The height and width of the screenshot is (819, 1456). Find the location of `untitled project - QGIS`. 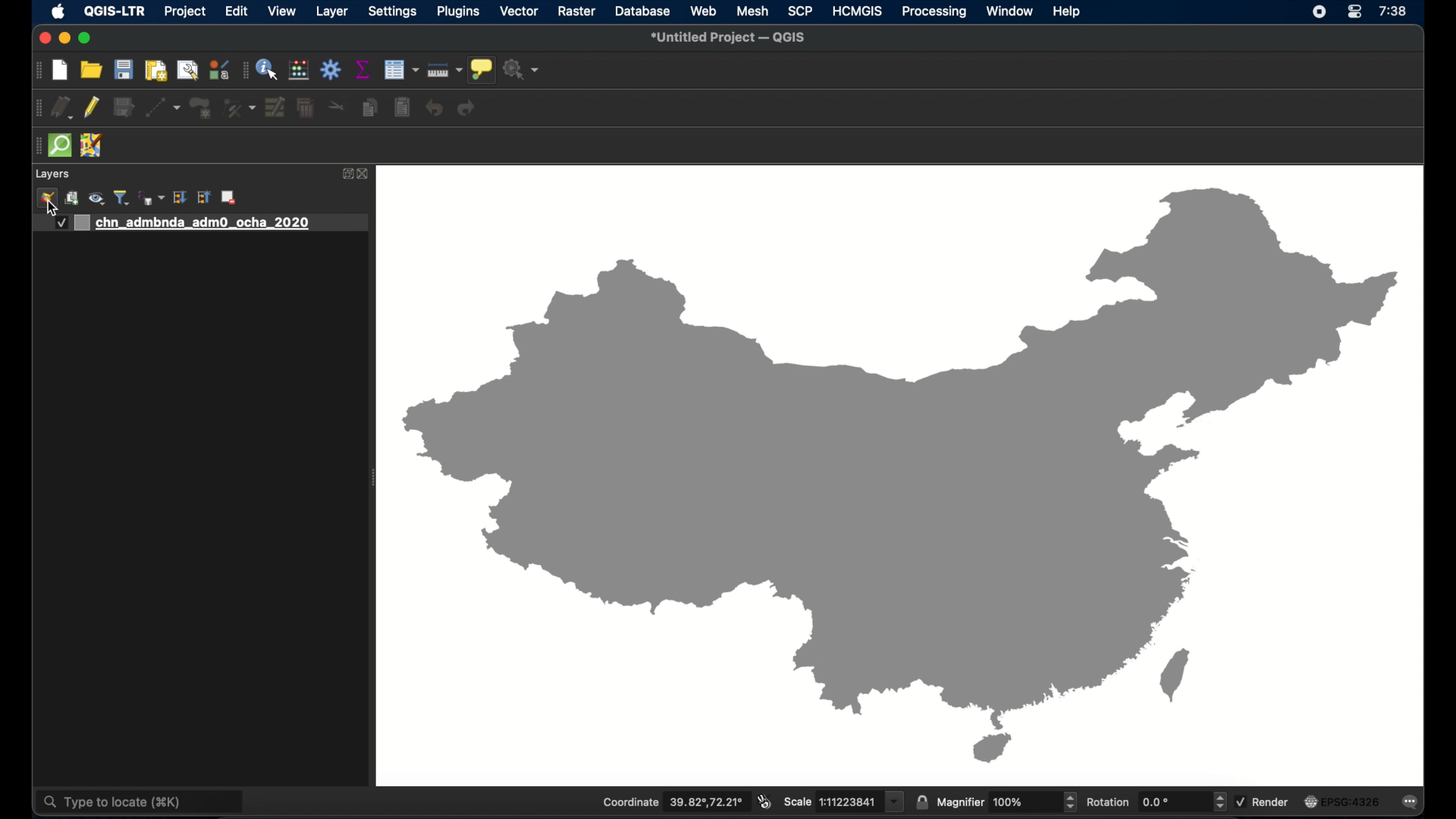

untitled project - QGIS is located at coordinates (727, 37).